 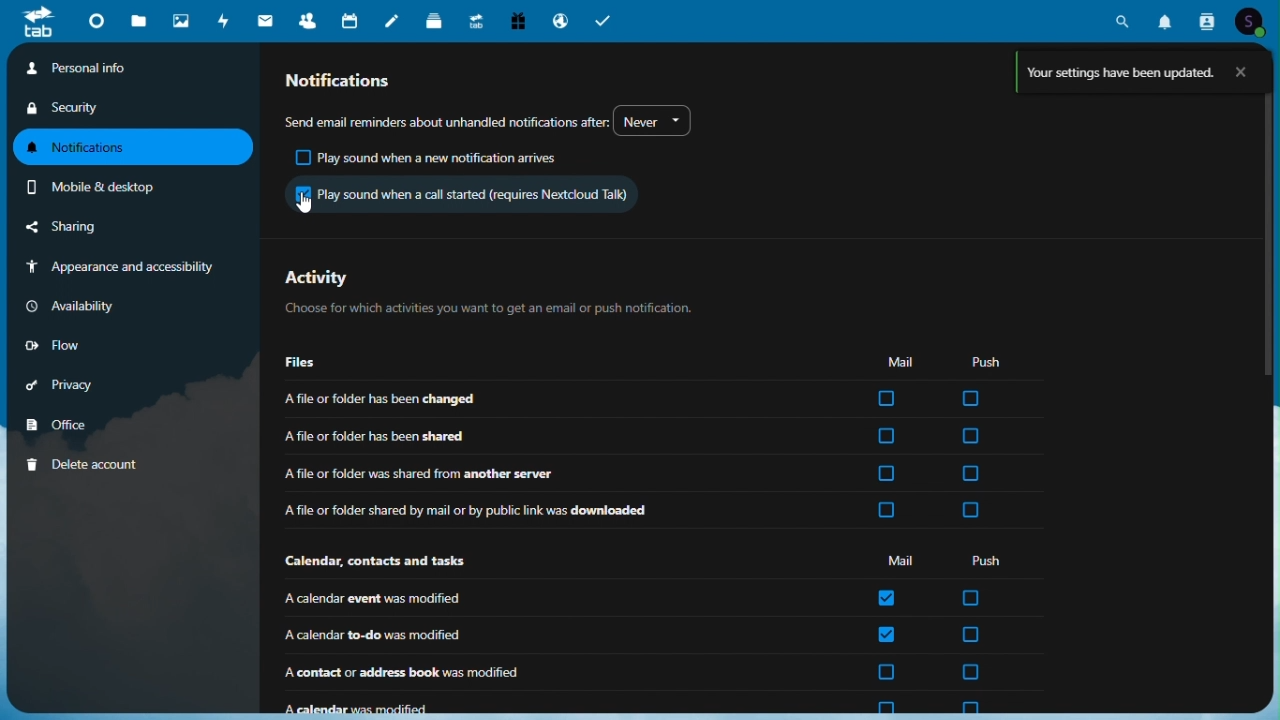 I want to click on Search, so click(x=1122, y=20).